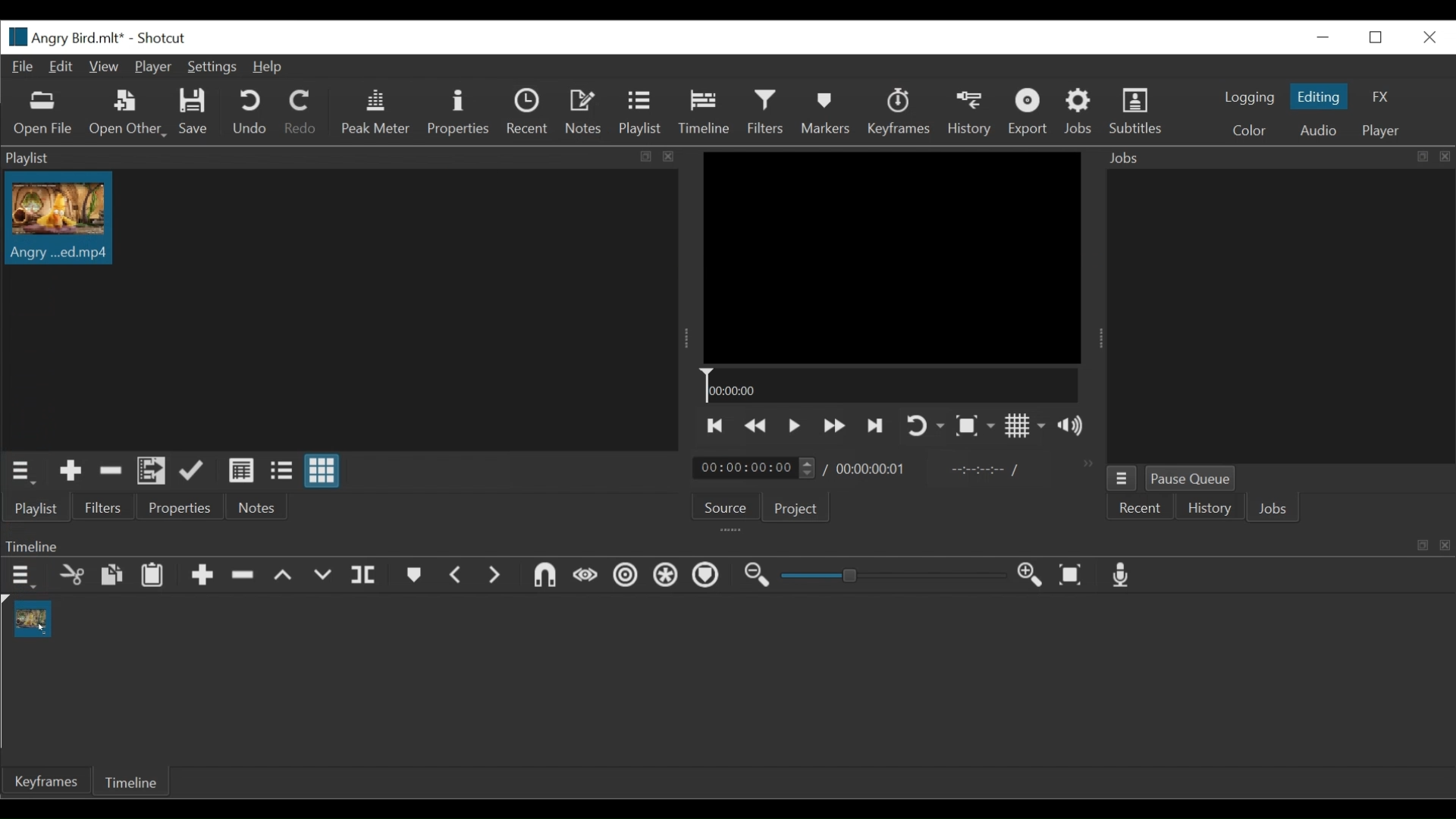 The width and height of the screenshot is (1456, 819). Describe the element at coordinates (24, 67) in the screenshot. I see `File` at that location.